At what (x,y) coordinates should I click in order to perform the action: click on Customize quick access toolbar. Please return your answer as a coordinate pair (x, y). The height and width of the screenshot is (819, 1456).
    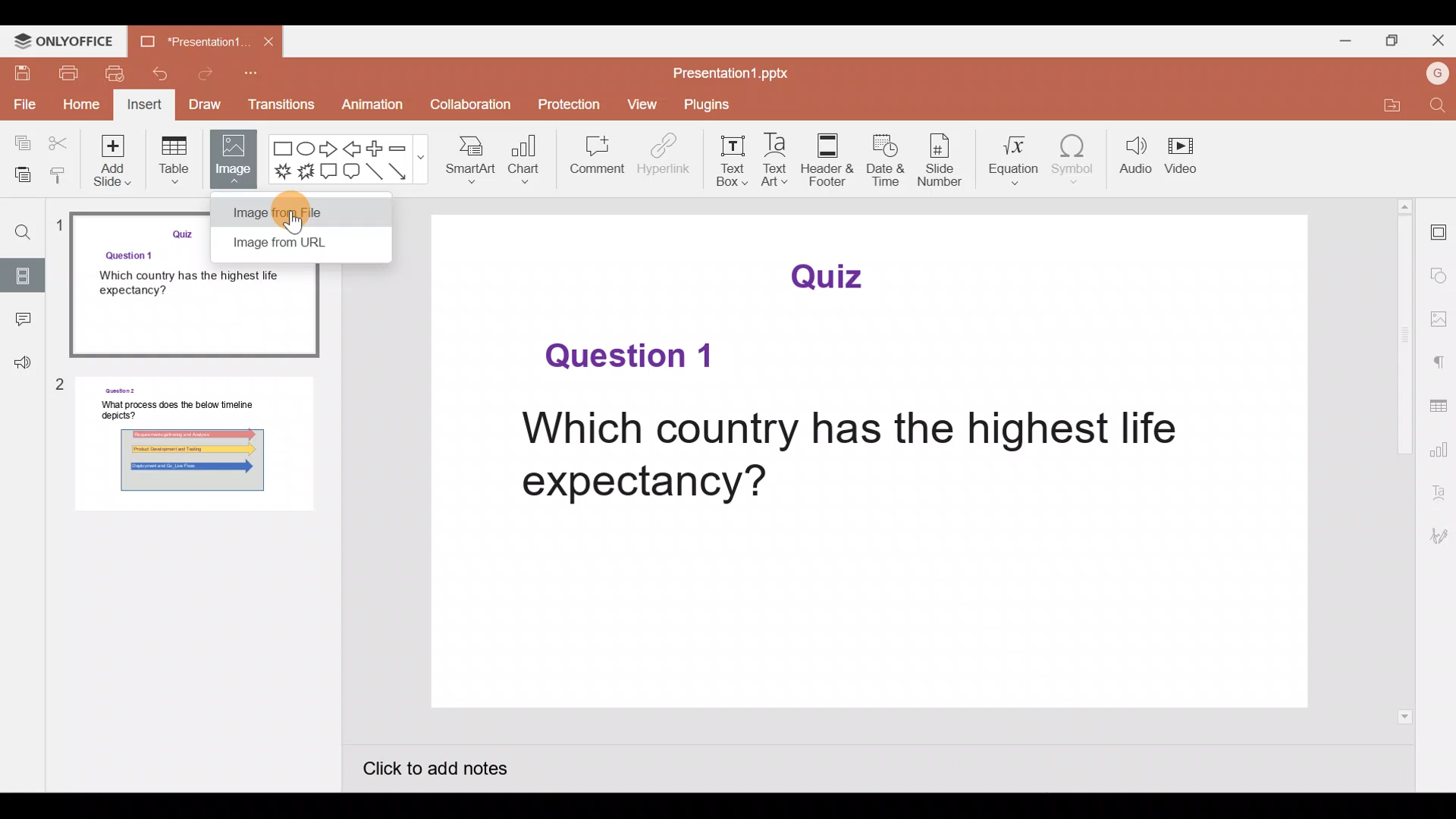
    Looking at the image, I should click on (261, 76).